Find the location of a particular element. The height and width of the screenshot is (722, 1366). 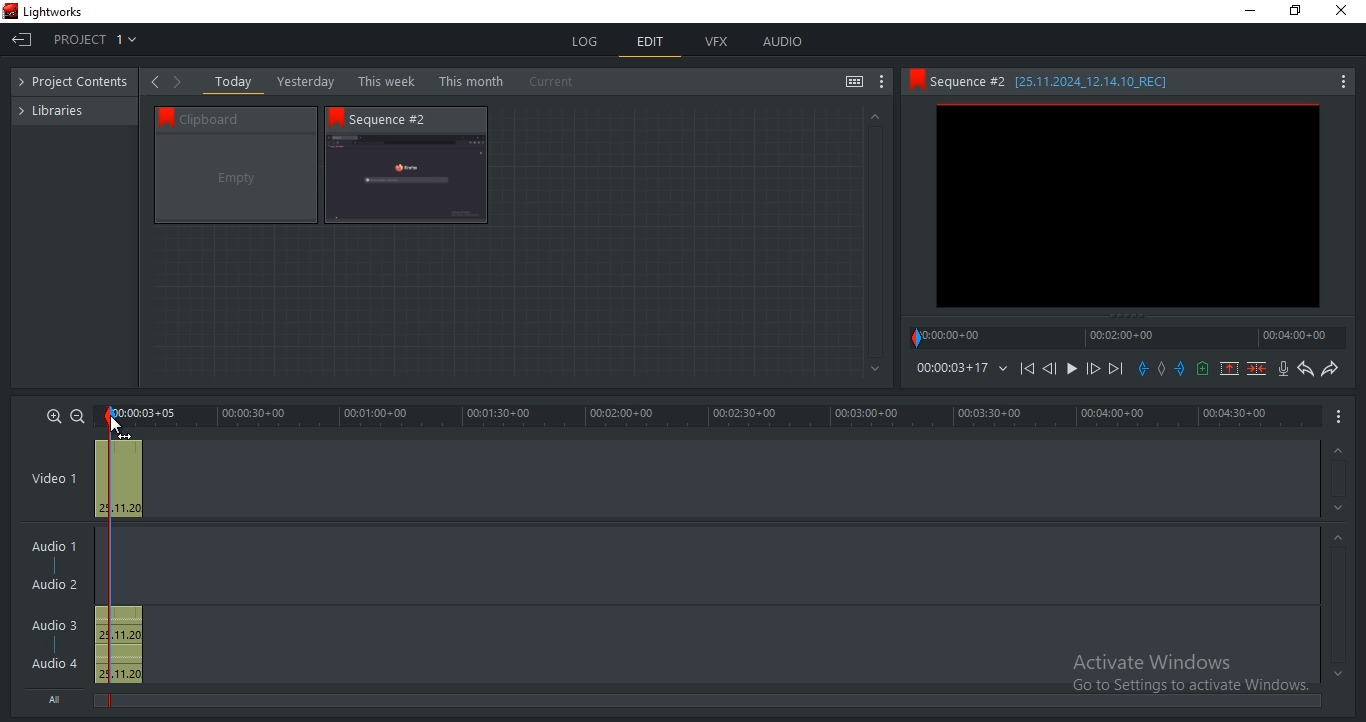

project 1: drop down is located at coordinates (93, 39).